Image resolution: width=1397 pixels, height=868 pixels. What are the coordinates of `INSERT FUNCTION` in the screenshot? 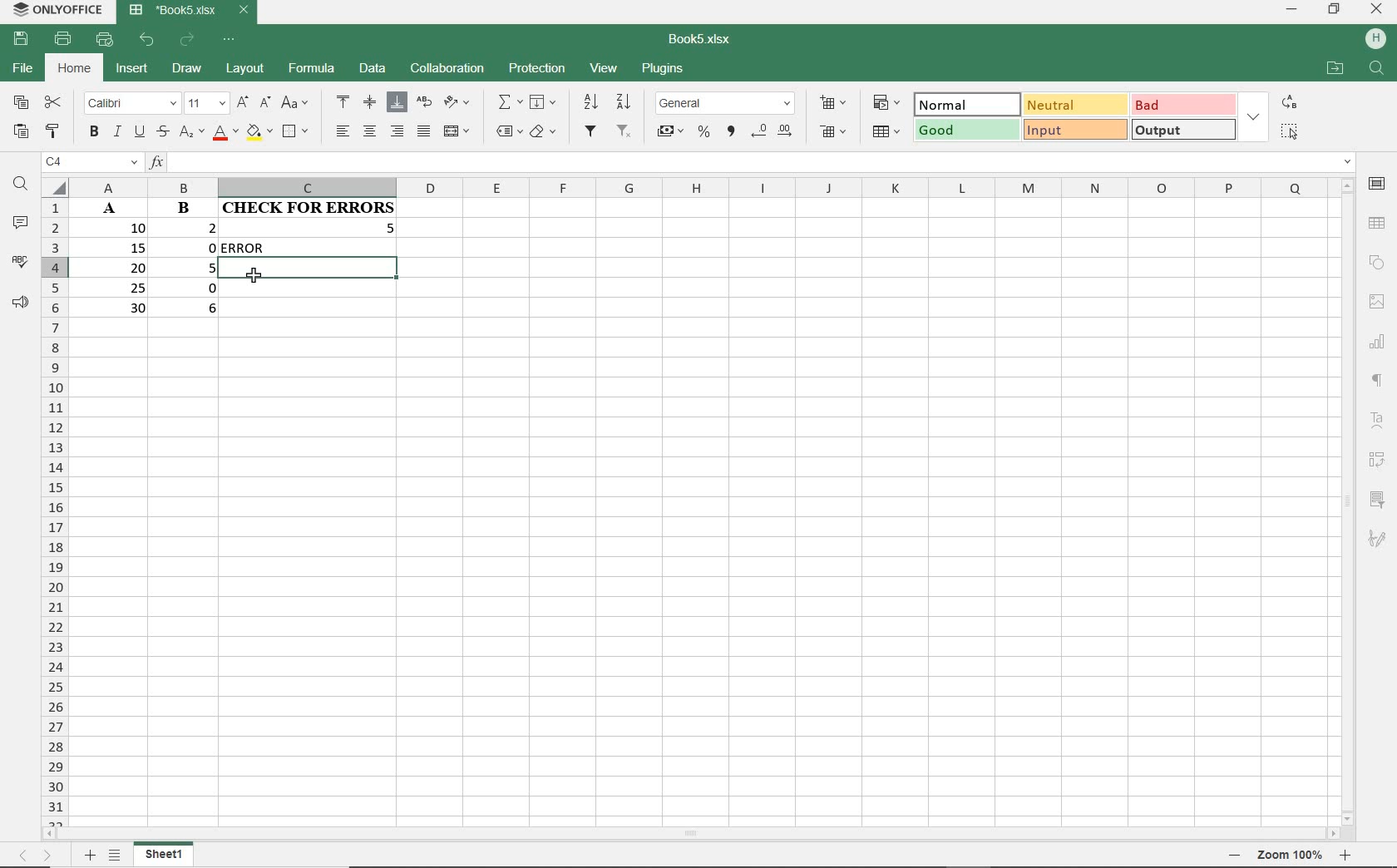 It's located at (509, 104).